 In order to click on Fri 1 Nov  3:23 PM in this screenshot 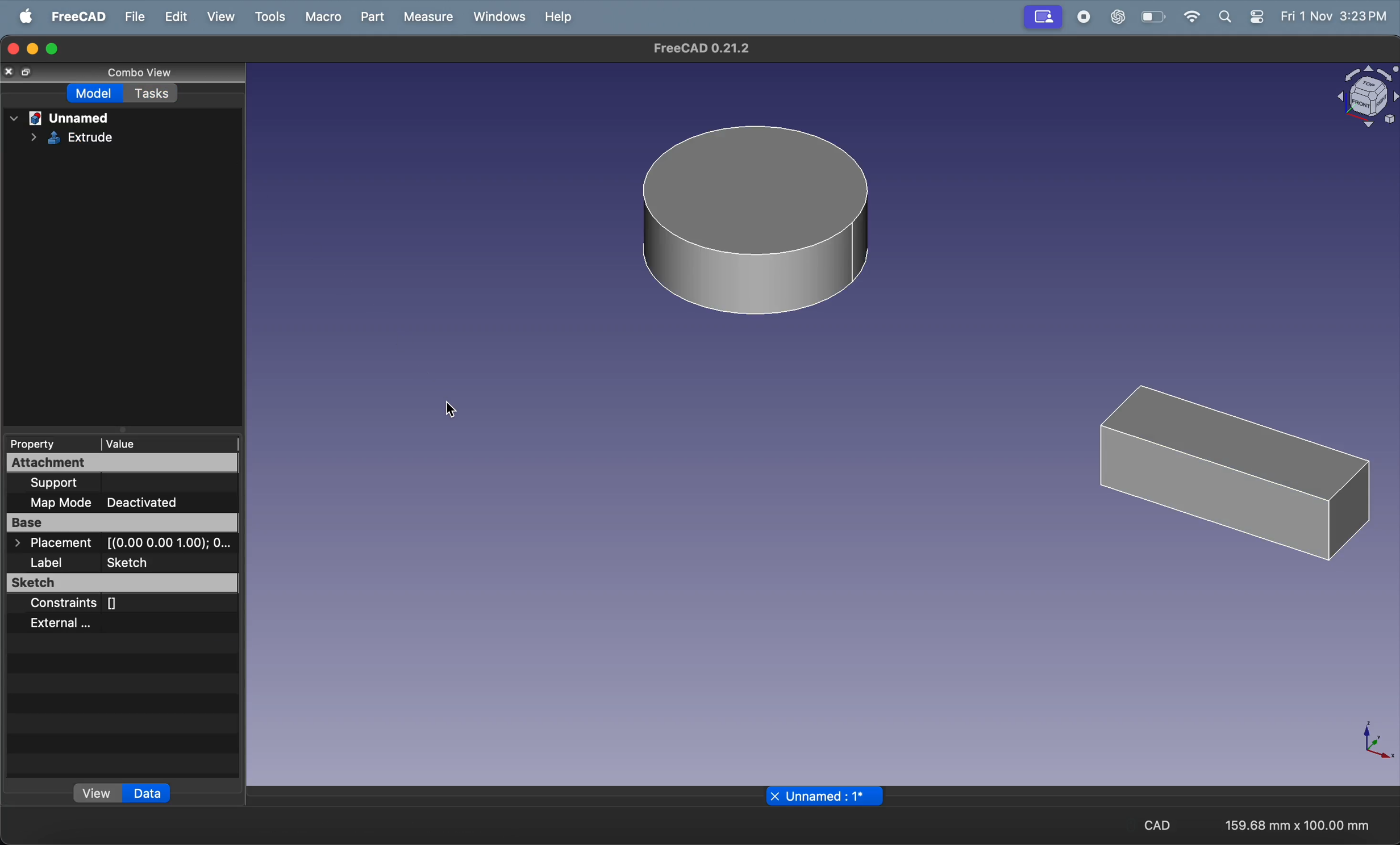, I will do `click(1332, 15)`.